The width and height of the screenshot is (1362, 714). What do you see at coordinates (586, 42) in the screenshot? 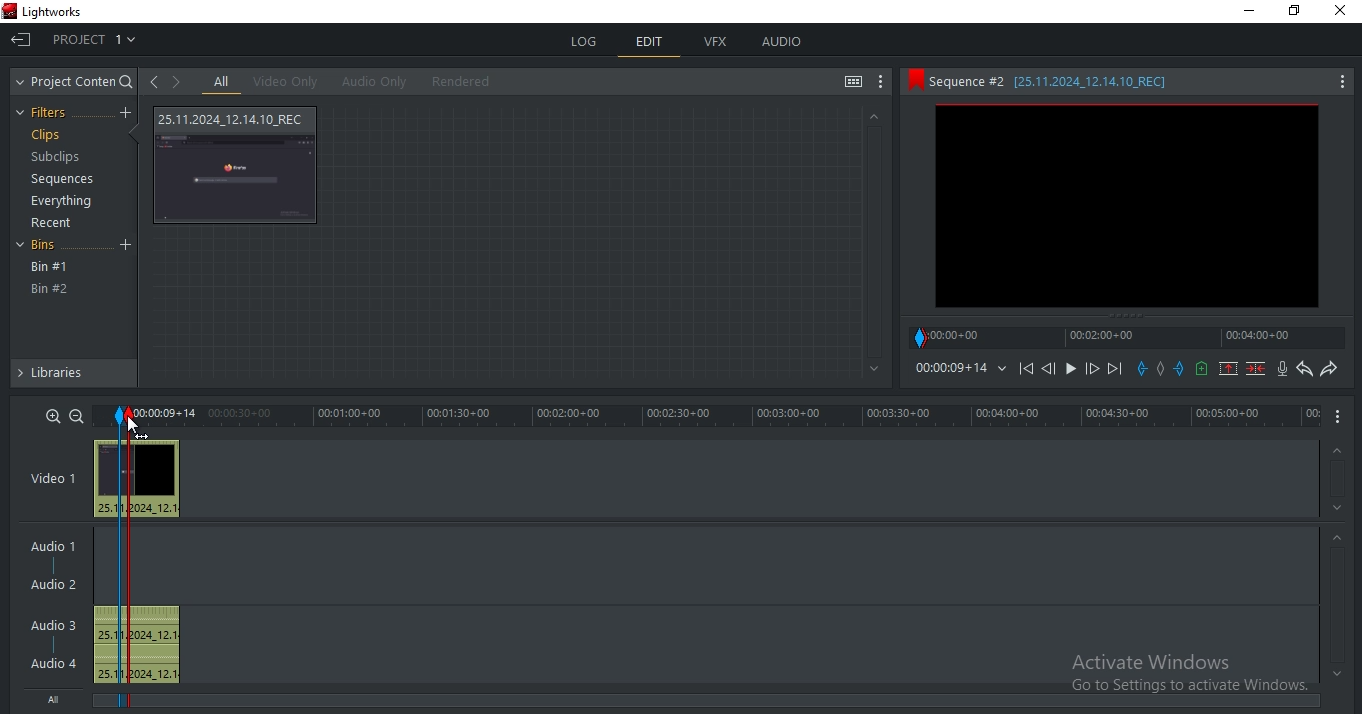
I see `log` at bounding box center [586, 42].